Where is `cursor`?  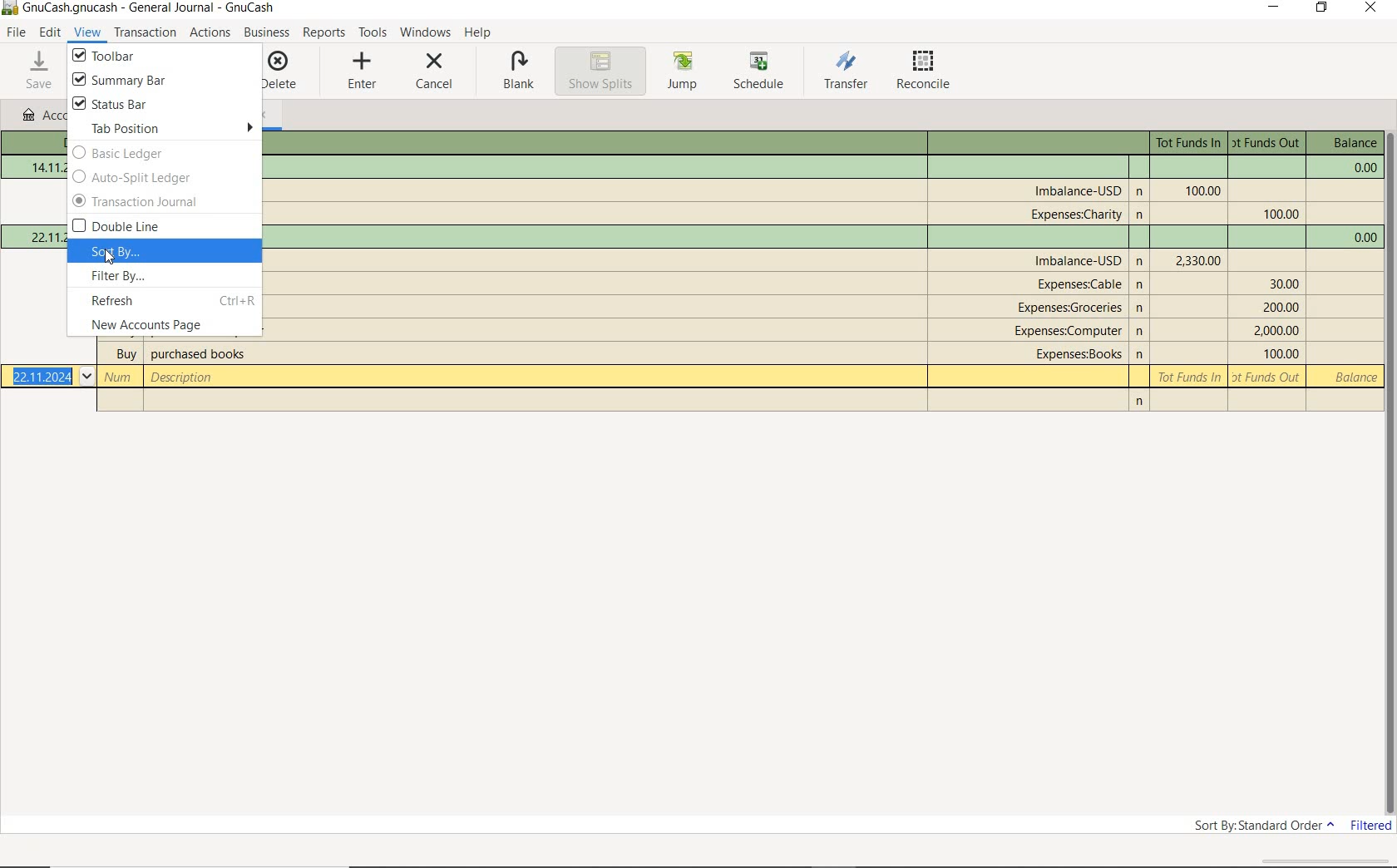
cursor is located at coordinates (111, 259).